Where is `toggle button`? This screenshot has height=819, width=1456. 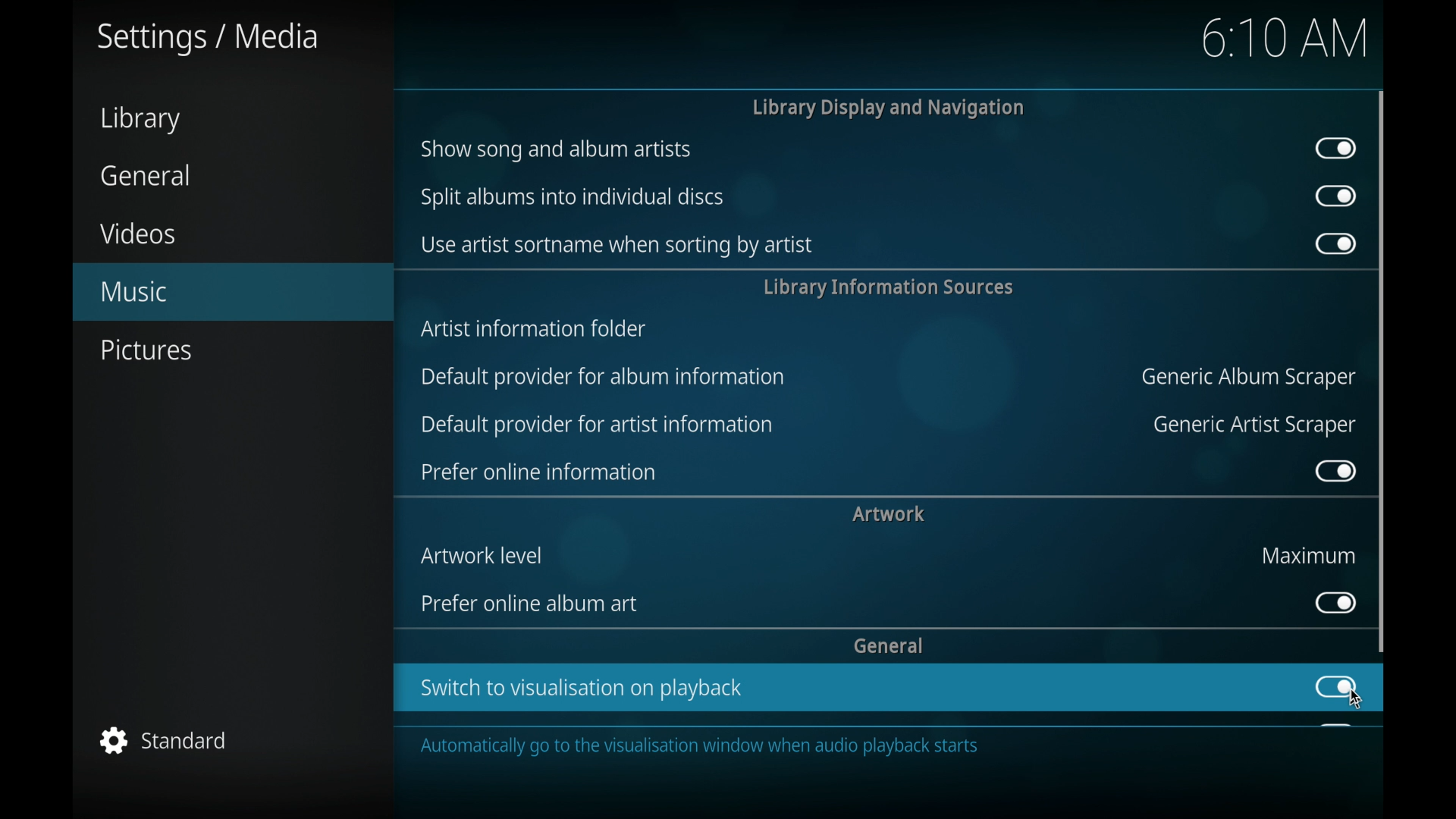
toggle button is located at coordinates (1336, 149).